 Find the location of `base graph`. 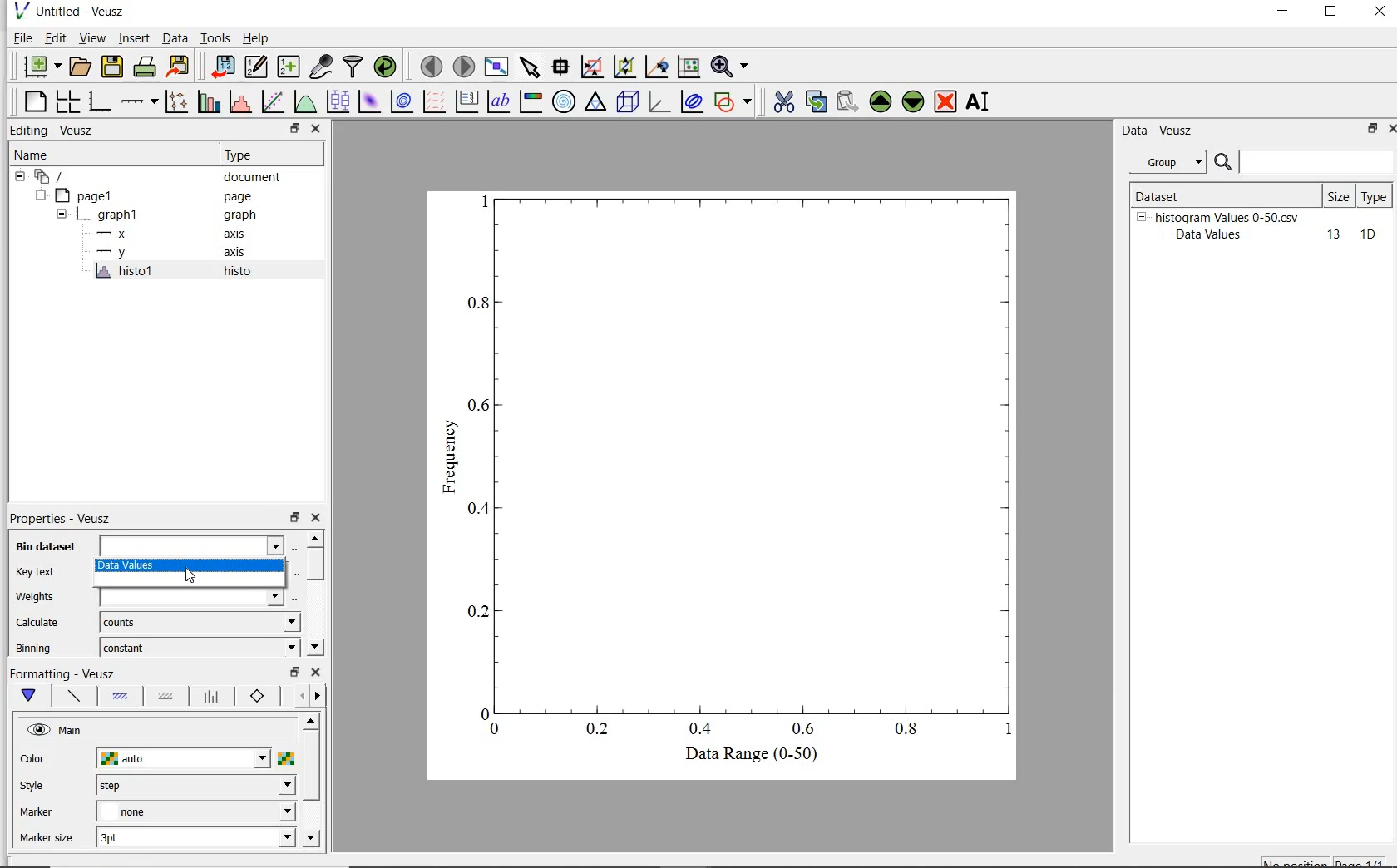

base graph is located at coordinates (101, 101).